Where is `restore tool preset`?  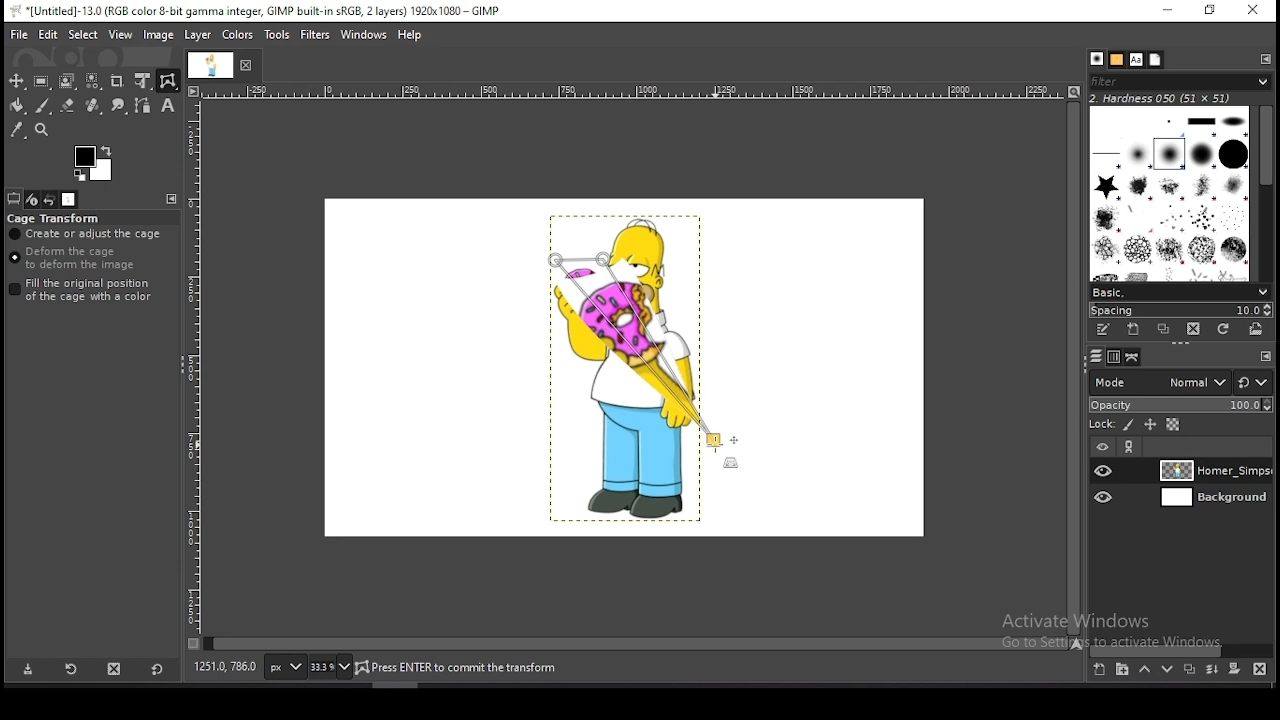 restore tool preset is located at coordinates (72, 670).